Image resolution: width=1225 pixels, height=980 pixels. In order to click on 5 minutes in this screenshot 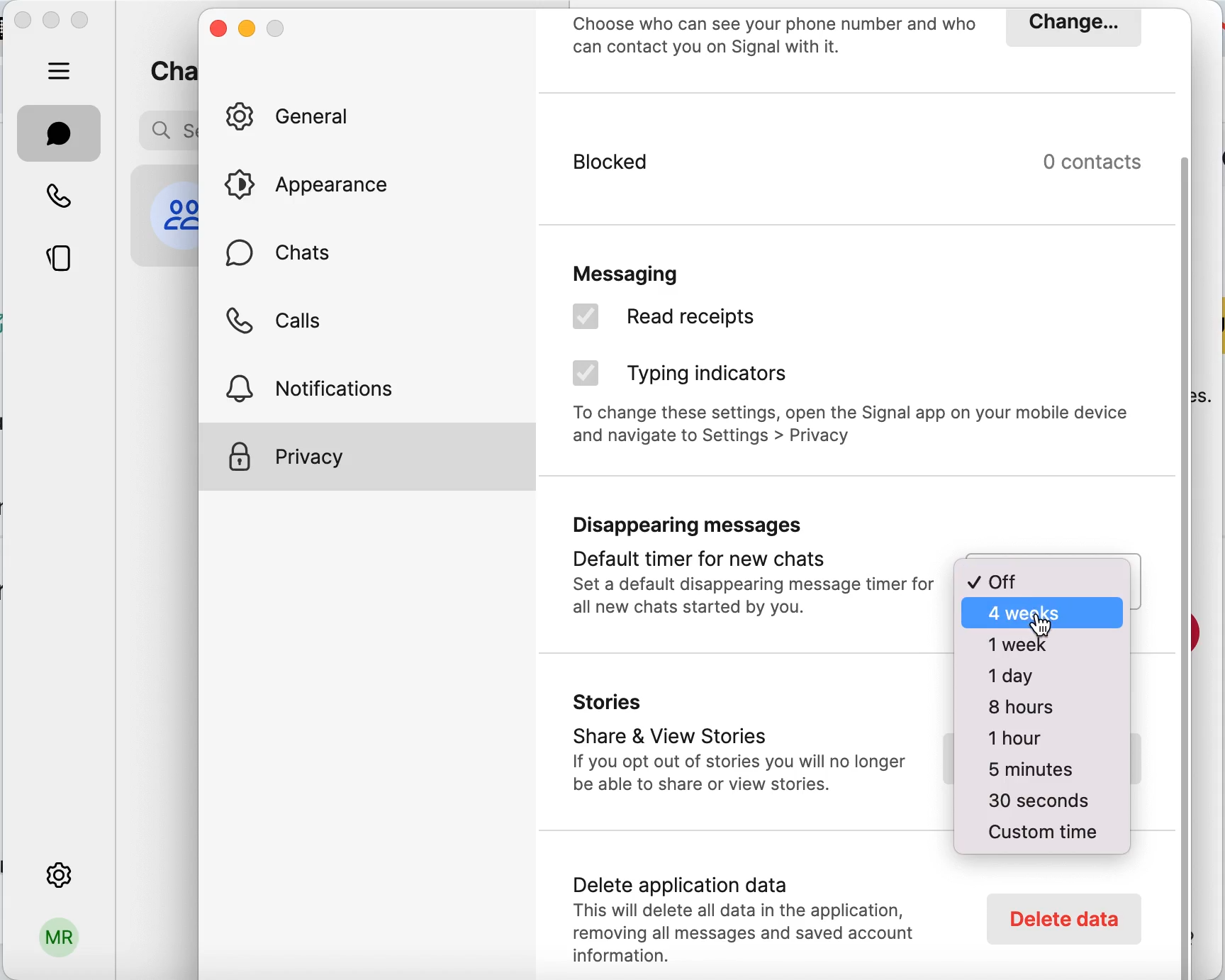, I will do `click(1026, 772)`.